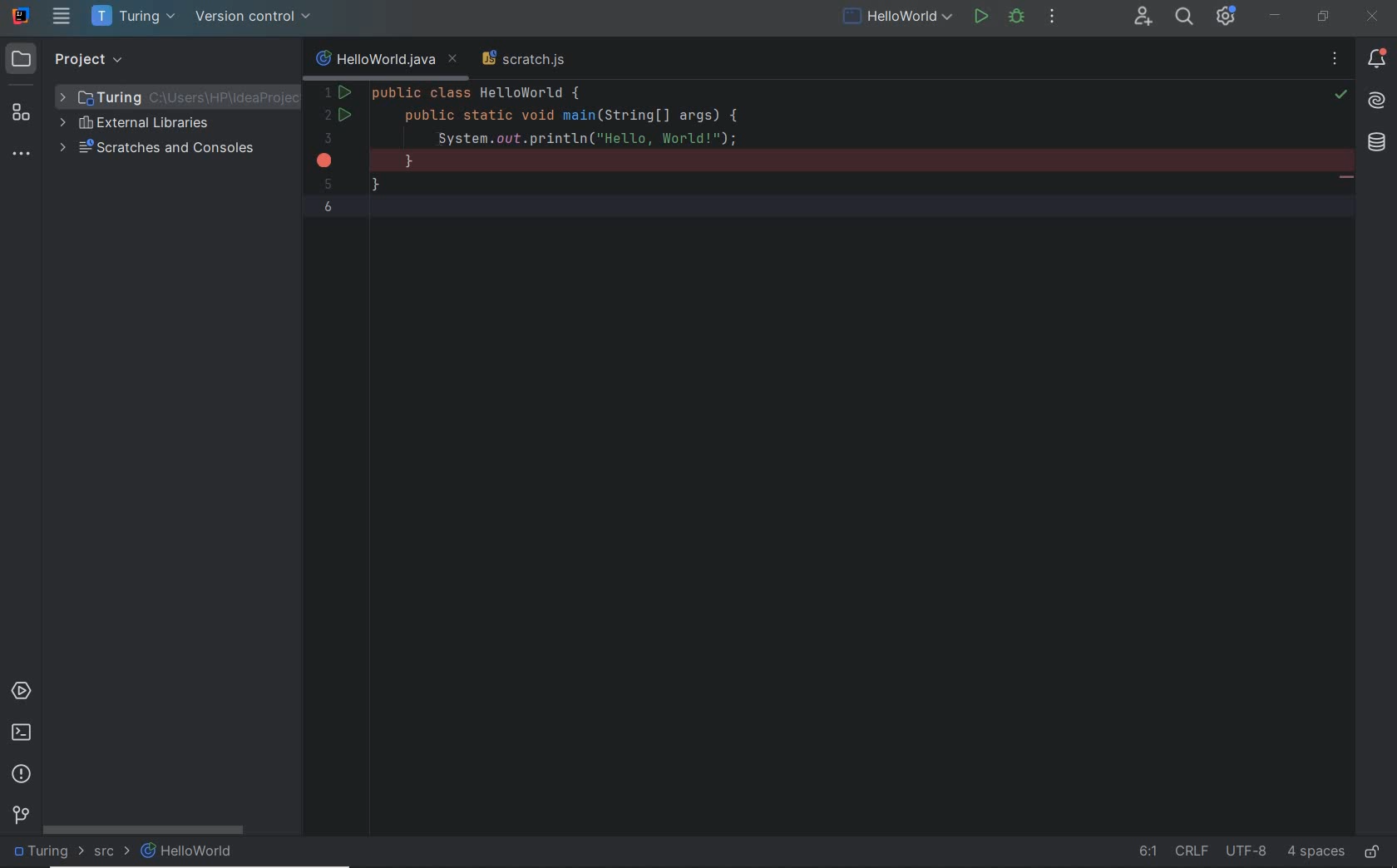 Image resolution: width=1397 pixels, height=868 pixels. I want to click on highlights problems: no problem, so click(1341, 96).